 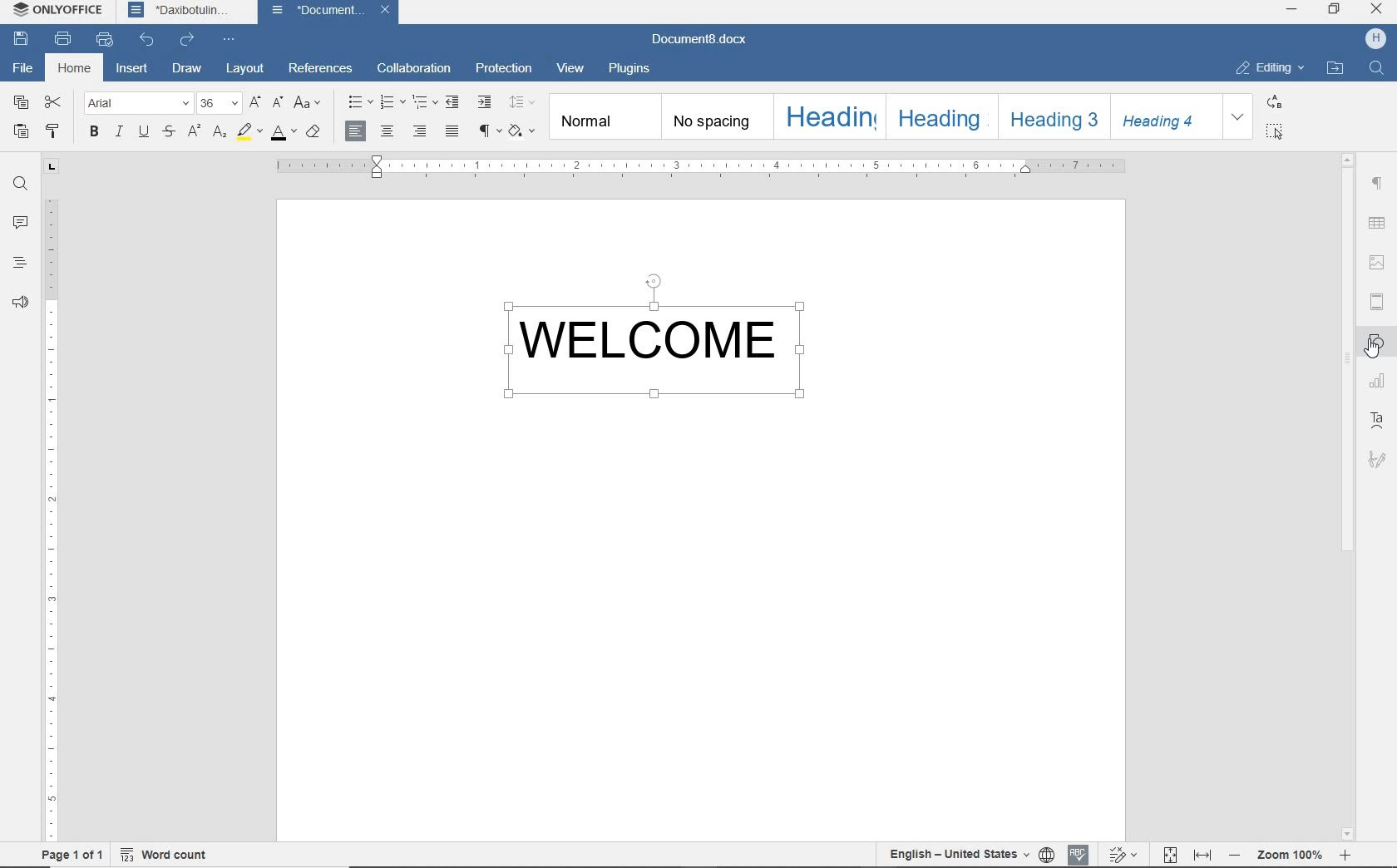 I want to click on COPY, so click(x=21, y=102).